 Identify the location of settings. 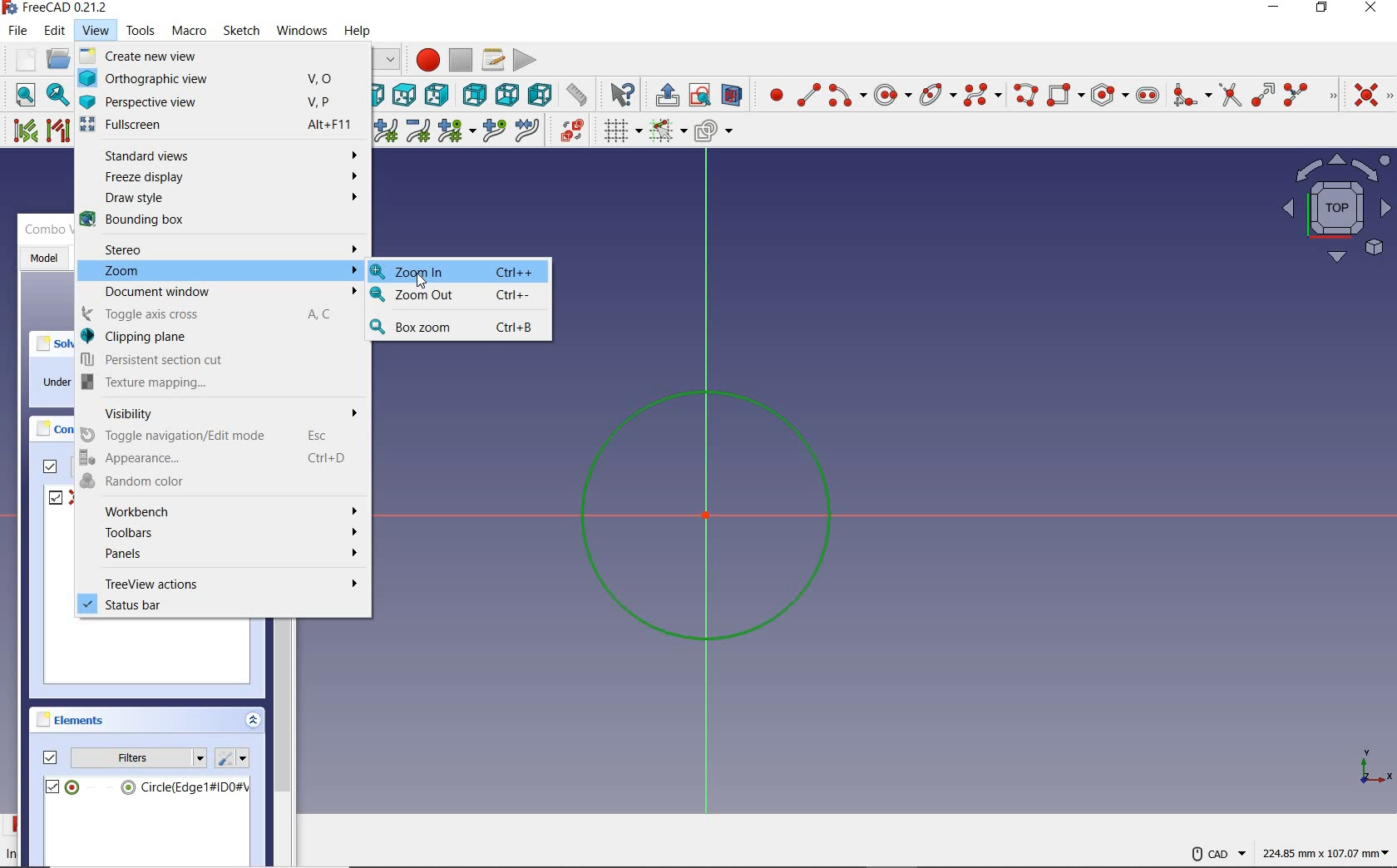
(234, 760).